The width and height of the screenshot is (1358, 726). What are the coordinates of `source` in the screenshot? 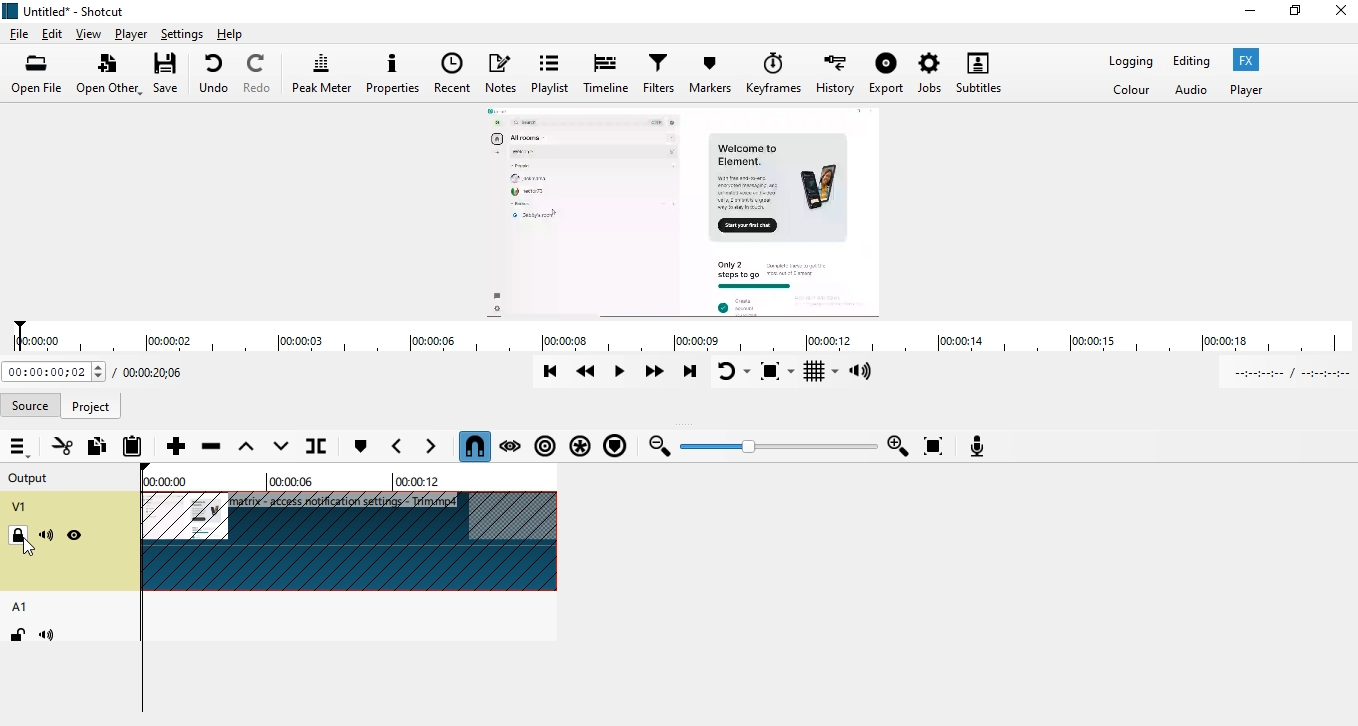 It's located at (32, 402).